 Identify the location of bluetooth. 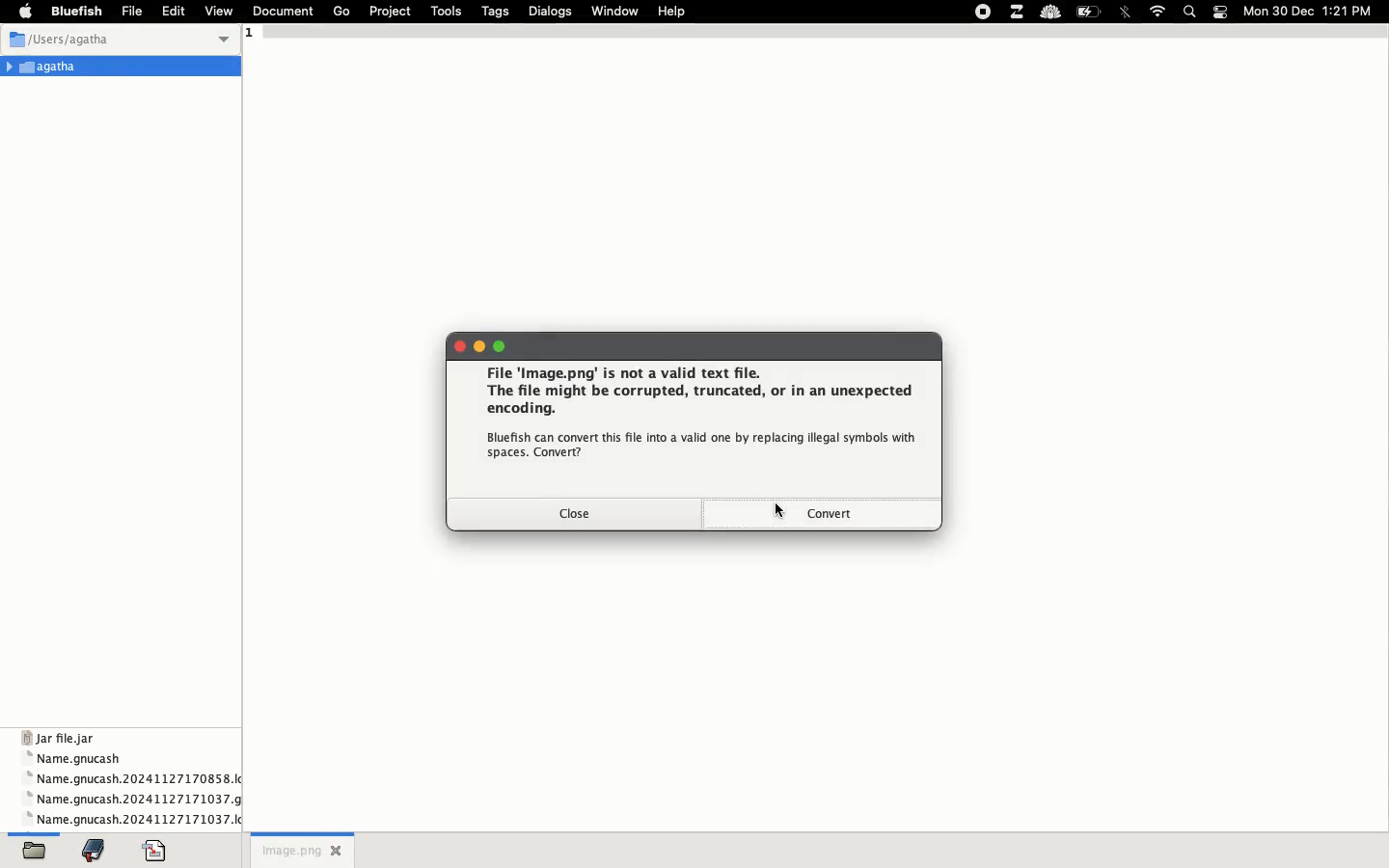
(1127, 12).